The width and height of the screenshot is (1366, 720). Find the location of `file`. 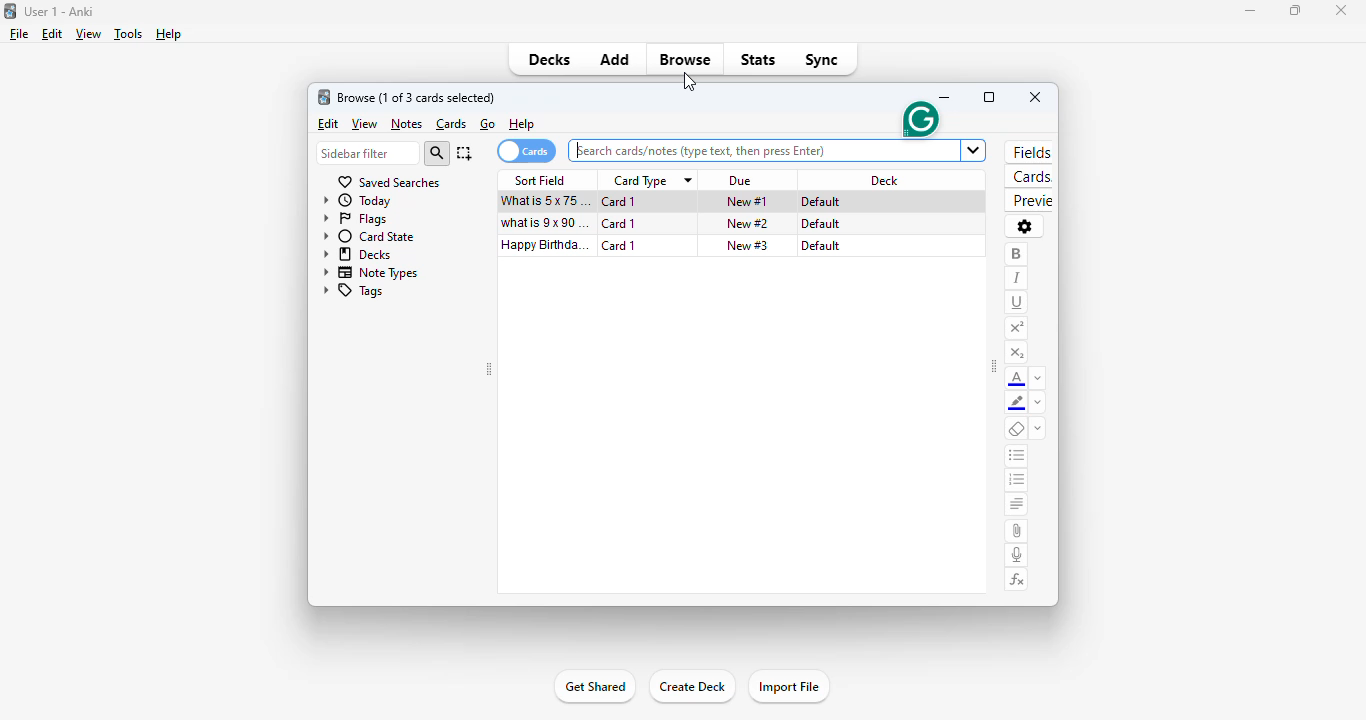

file is located at coordinates (19, 34).